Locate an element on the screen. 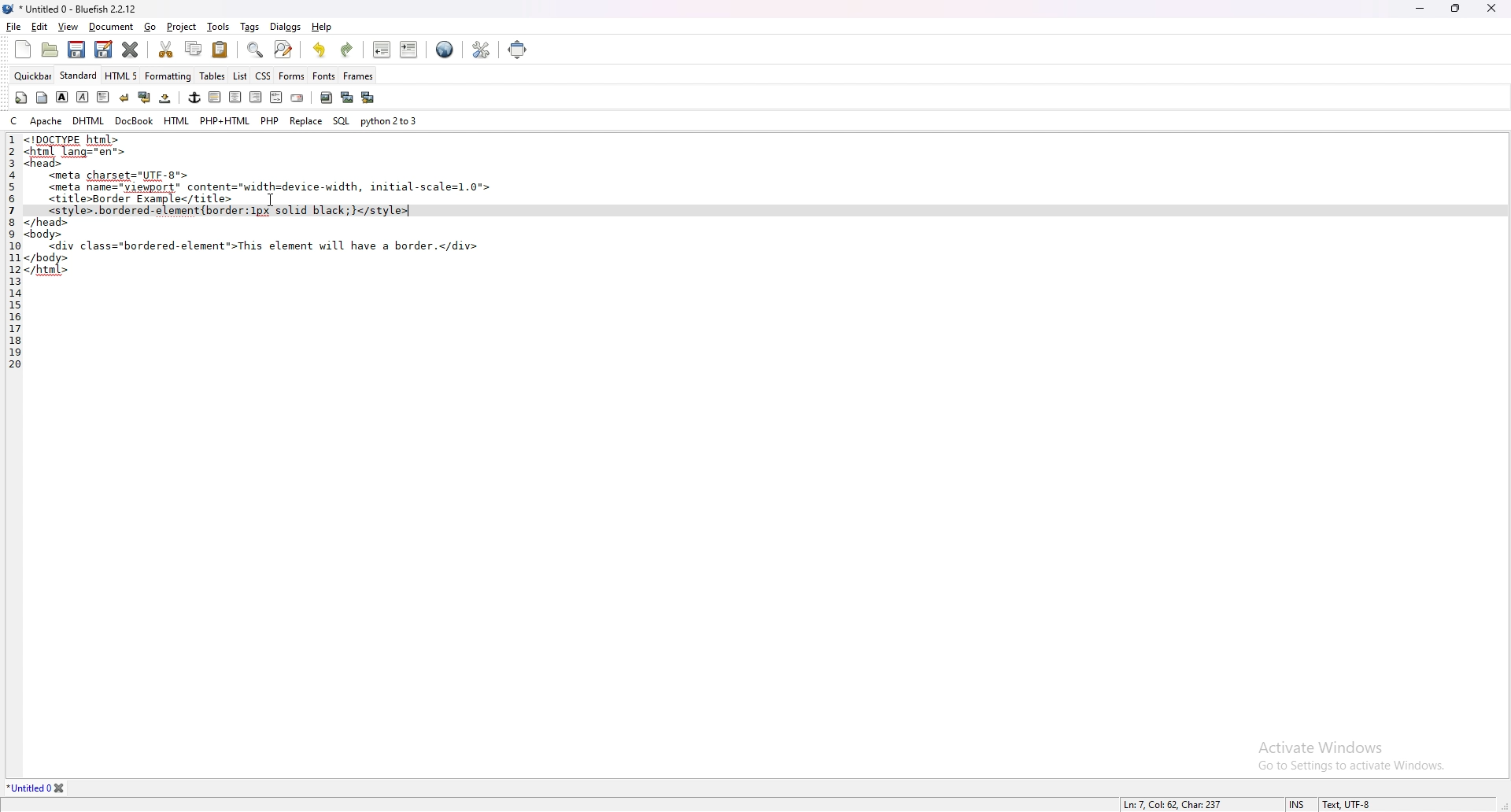 The height and width of the screenshot is (812, 1511). docbook is located at coordinates (134, 120).